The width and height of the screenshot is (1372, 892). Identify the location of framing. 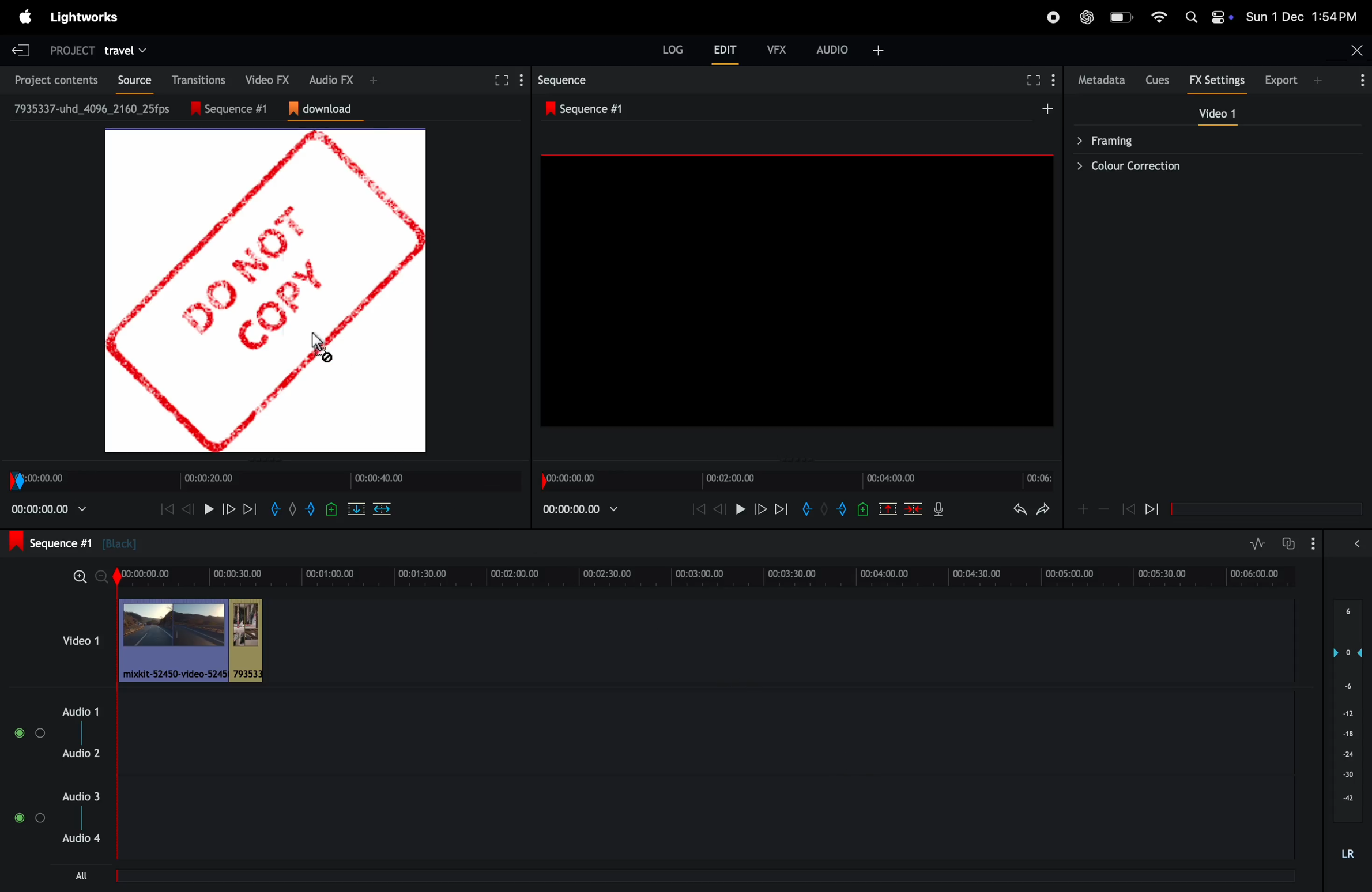
(1209, 139).